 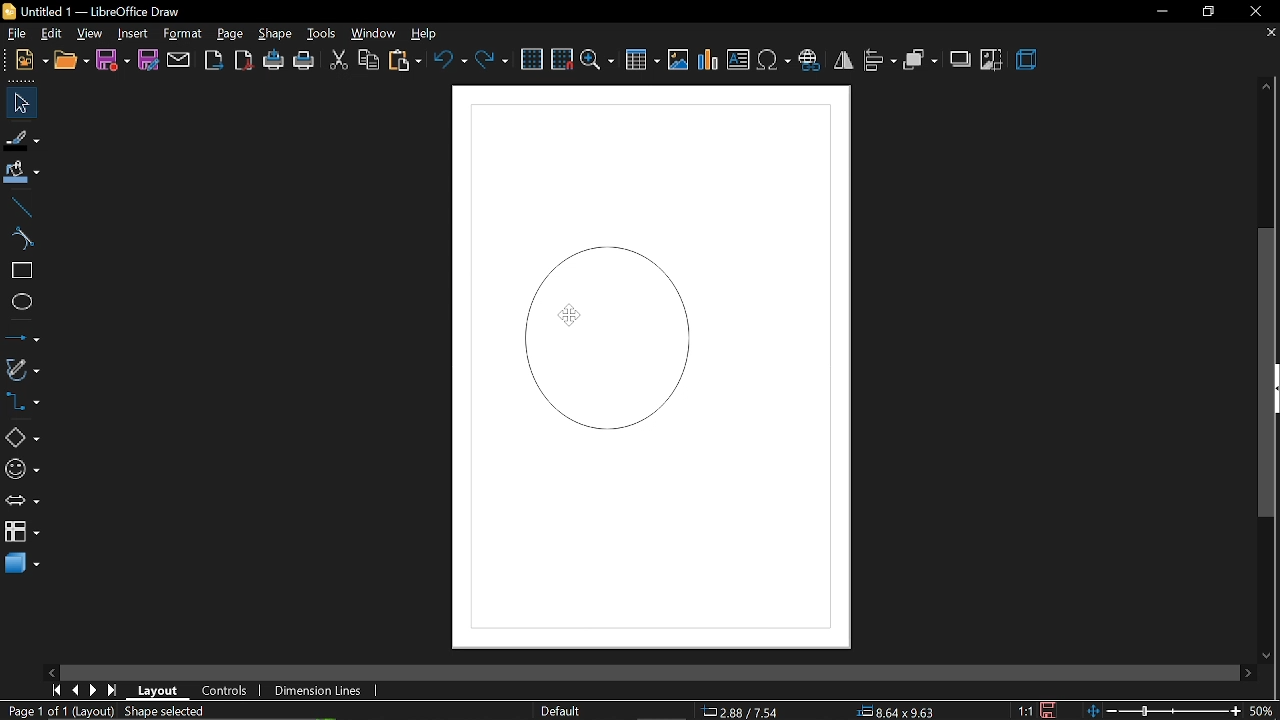 I want to click on dimension lines, so click(x=318, y=689).